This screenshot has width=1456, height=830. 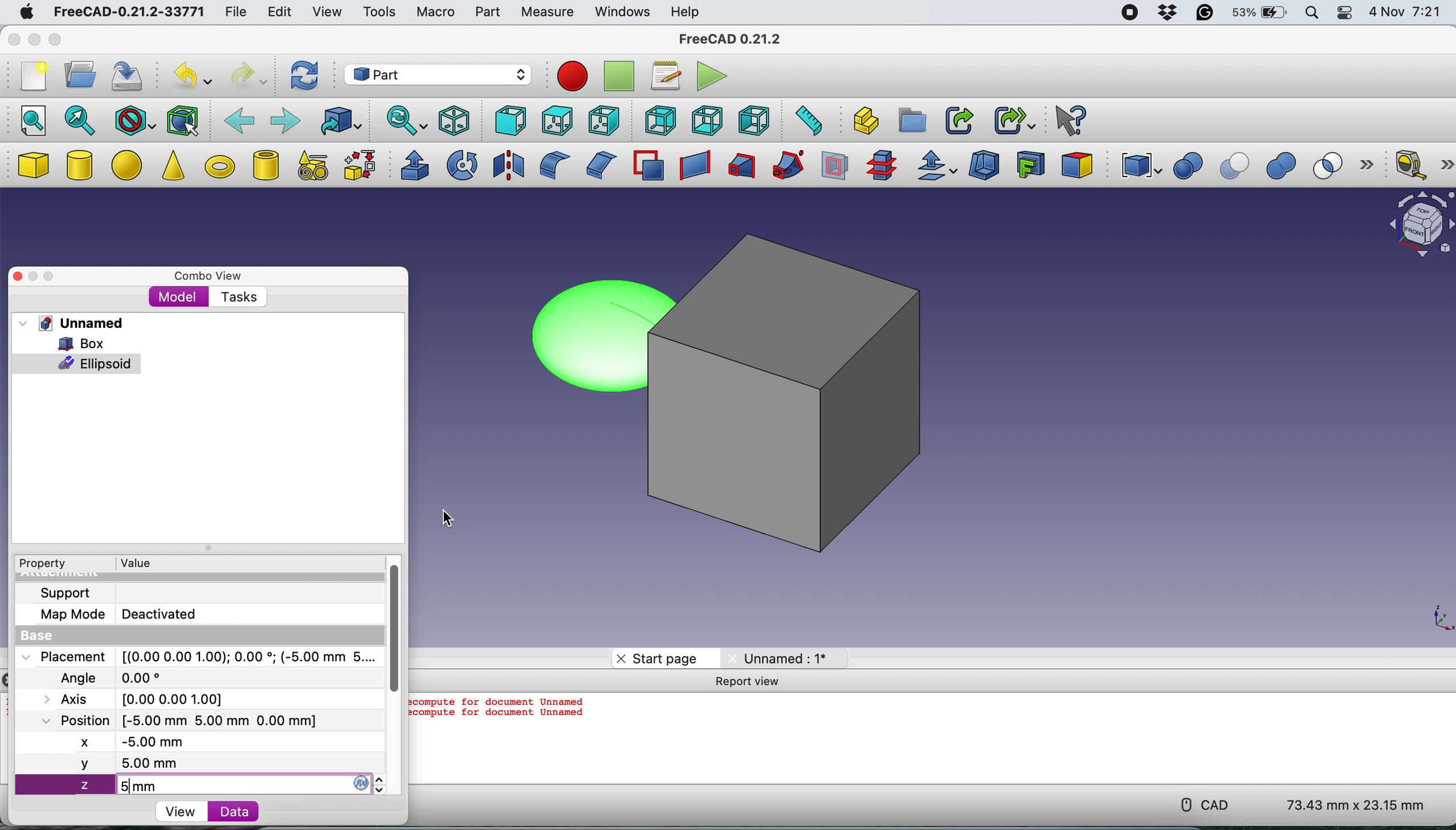 What do you see at coordinates (555, 120) in the screenshot?
I see `top` at bounding box center [555, 120].